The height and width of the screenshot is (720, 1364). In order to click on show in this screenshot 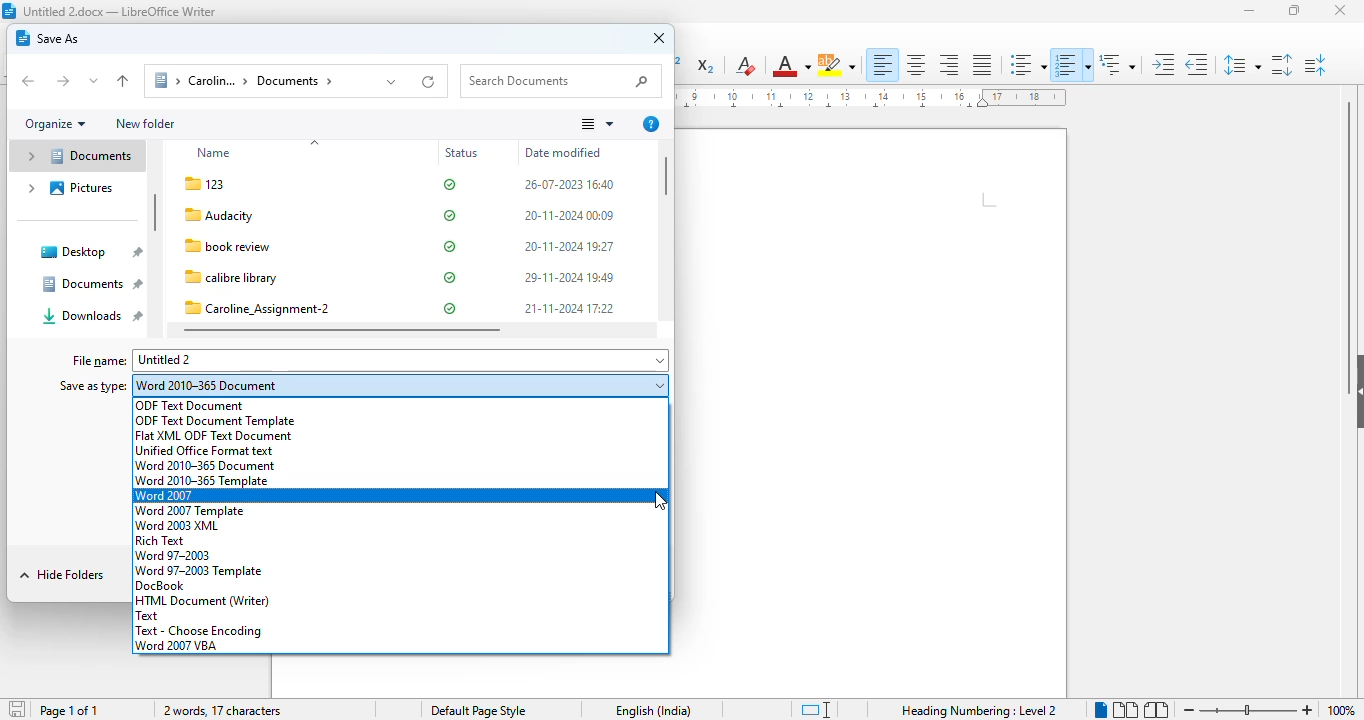, I will do `click(1355, 387)`.